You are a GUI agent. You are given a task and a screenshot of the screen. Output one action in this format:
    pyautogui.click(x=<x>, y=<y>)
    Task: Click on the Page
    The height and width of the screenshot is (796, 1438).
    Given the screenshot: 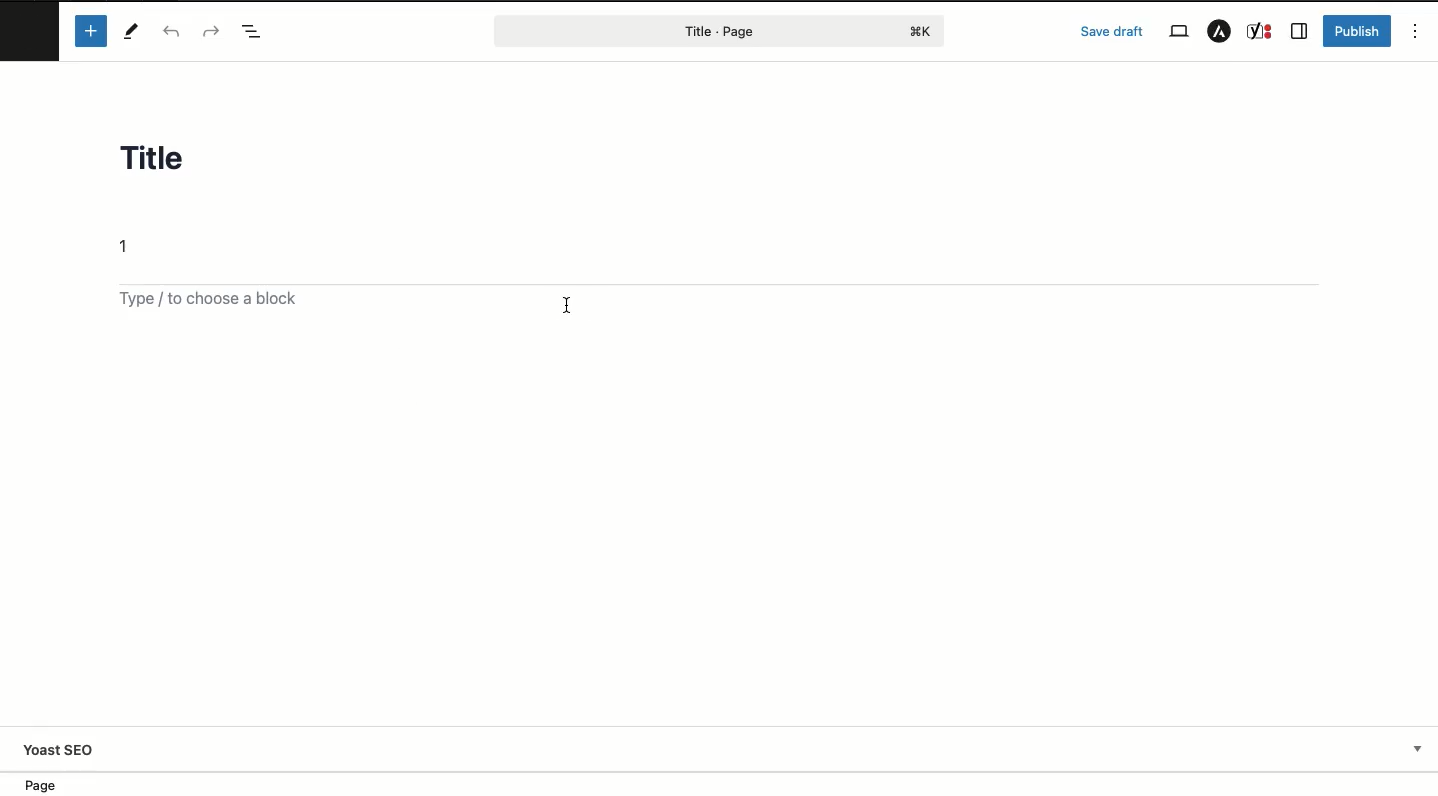 What is the action you would take?
    pyautogui.click(x=678, y=31)
    